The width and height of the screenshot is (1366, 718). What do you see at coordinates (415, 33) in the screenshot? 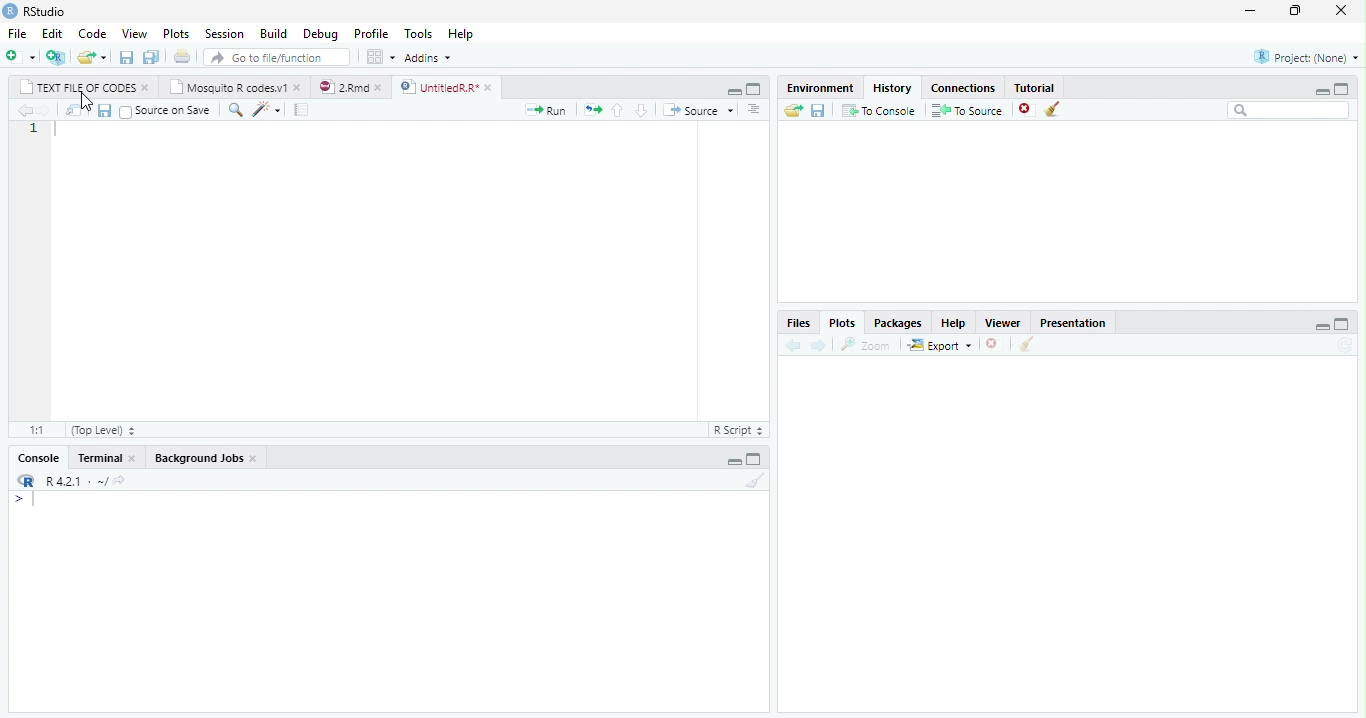
I see `tools` at bounding box center [415, 33].